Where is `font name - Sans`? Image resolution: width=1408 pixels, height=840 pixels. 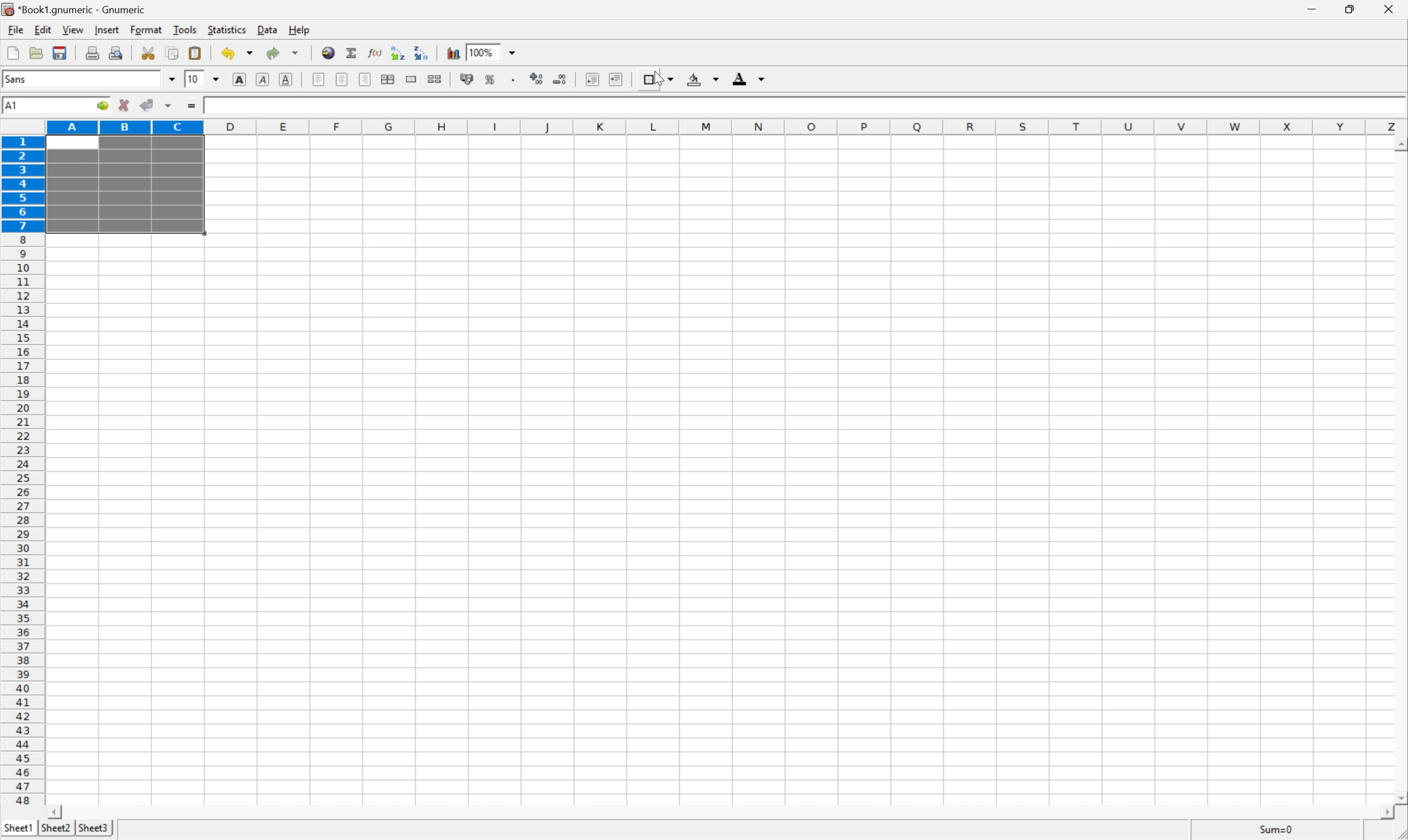
font name - Sans is located at coordinates (87, 80).